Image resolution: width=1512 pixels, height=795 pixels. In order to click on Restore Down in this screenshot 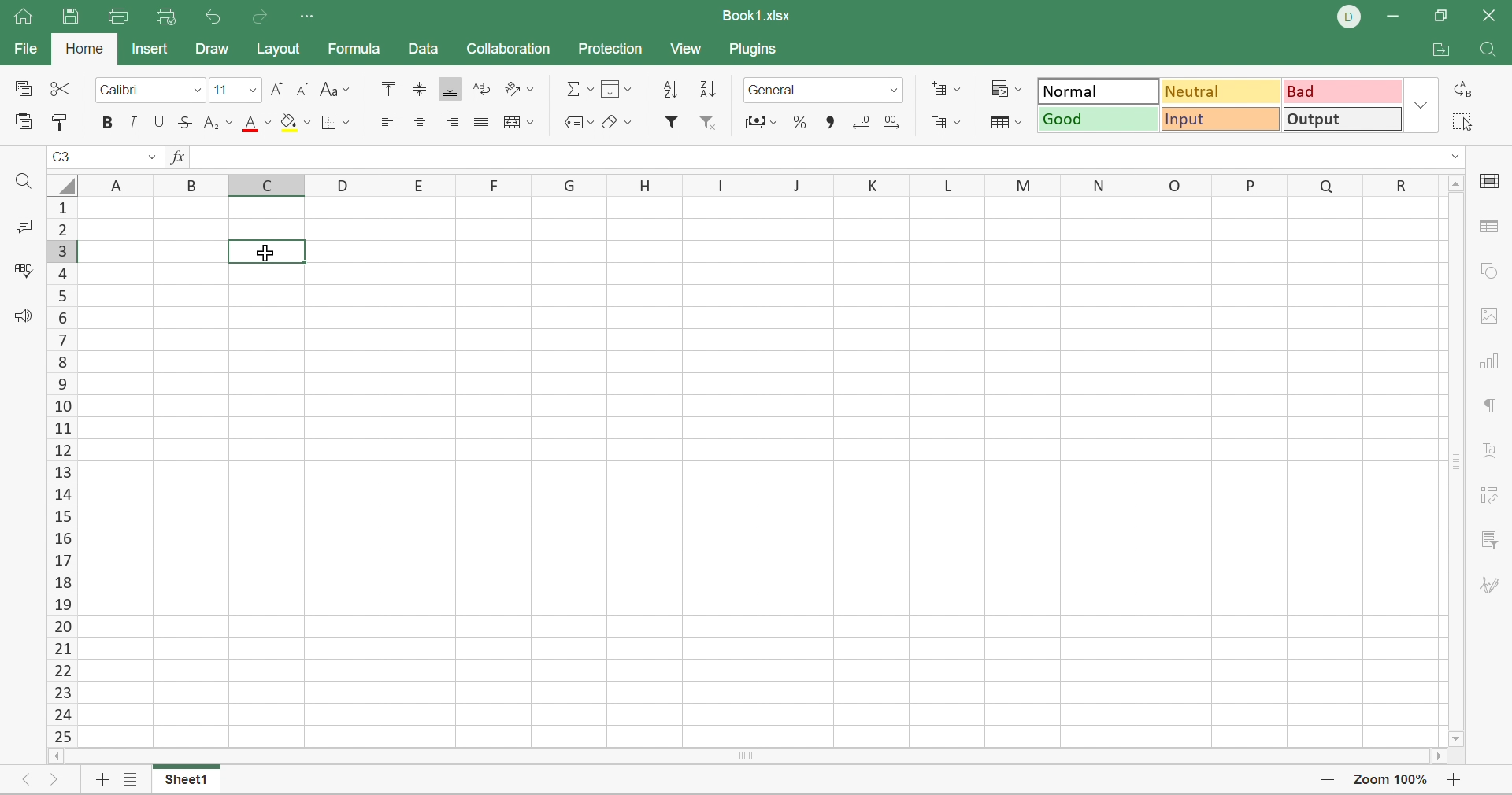, I will do `click(1443, 14)`.